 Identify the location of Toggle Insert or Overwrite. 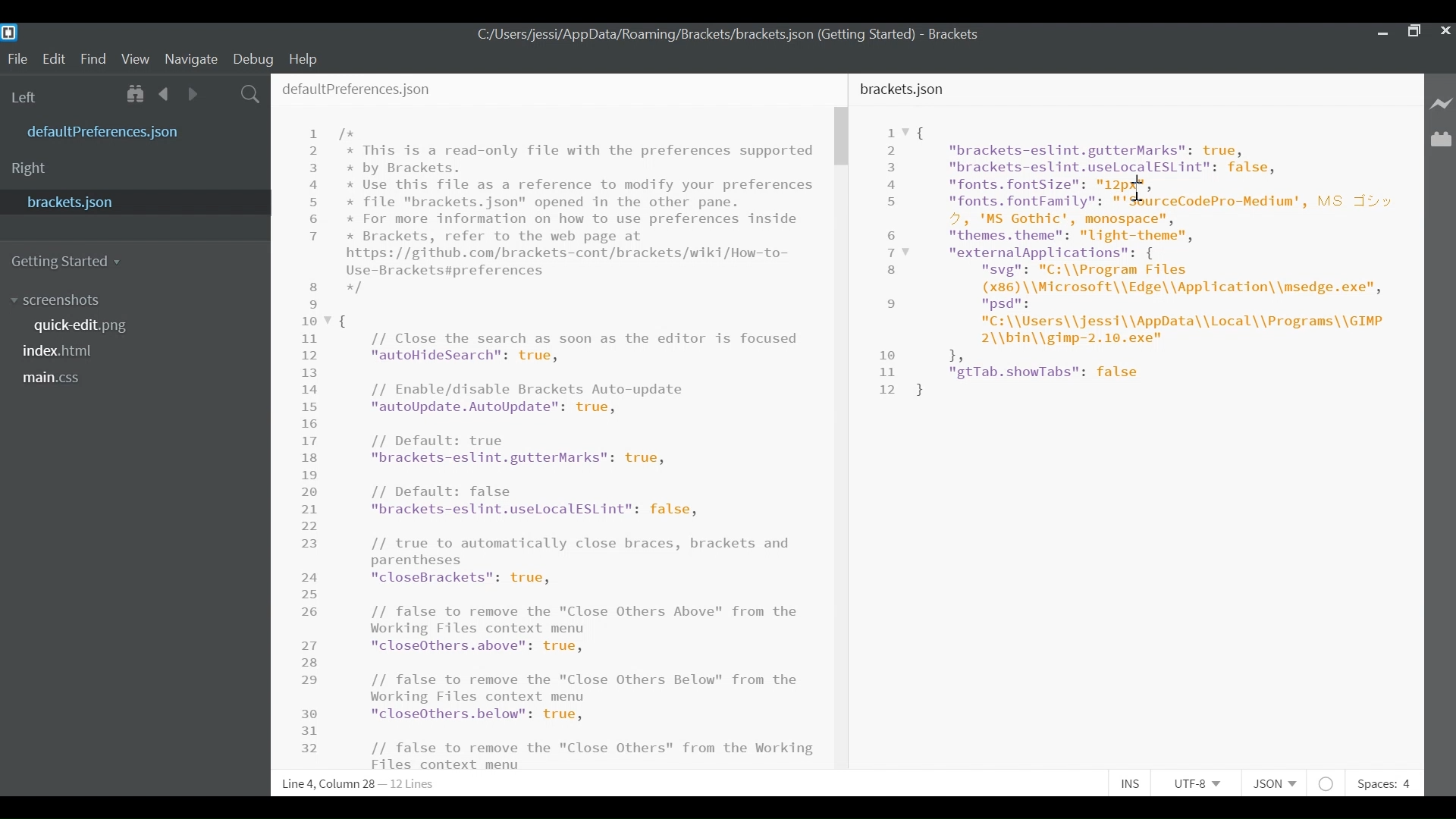
(1128, 782).